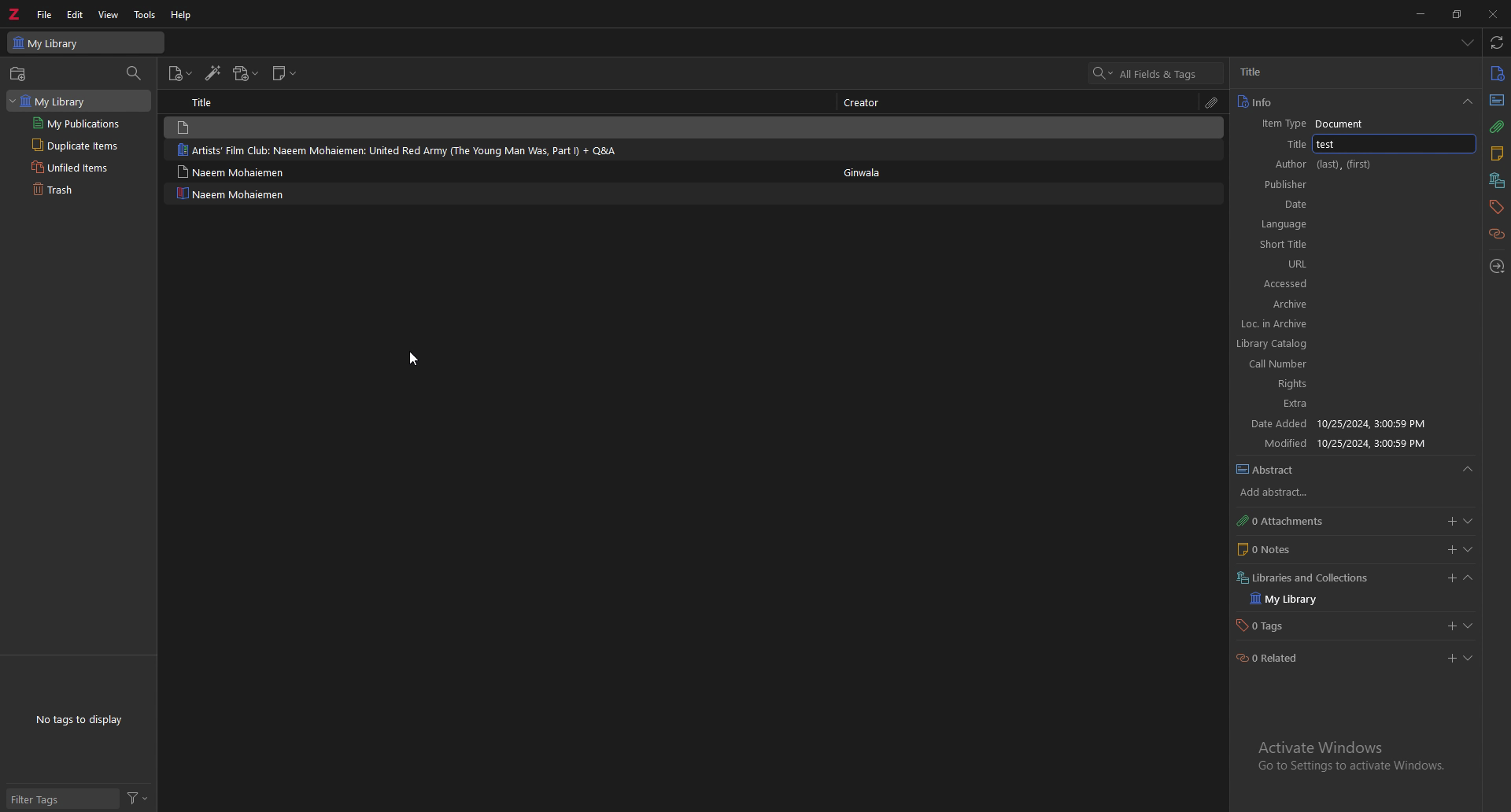  I want to click on call number, so click(1276, 550).